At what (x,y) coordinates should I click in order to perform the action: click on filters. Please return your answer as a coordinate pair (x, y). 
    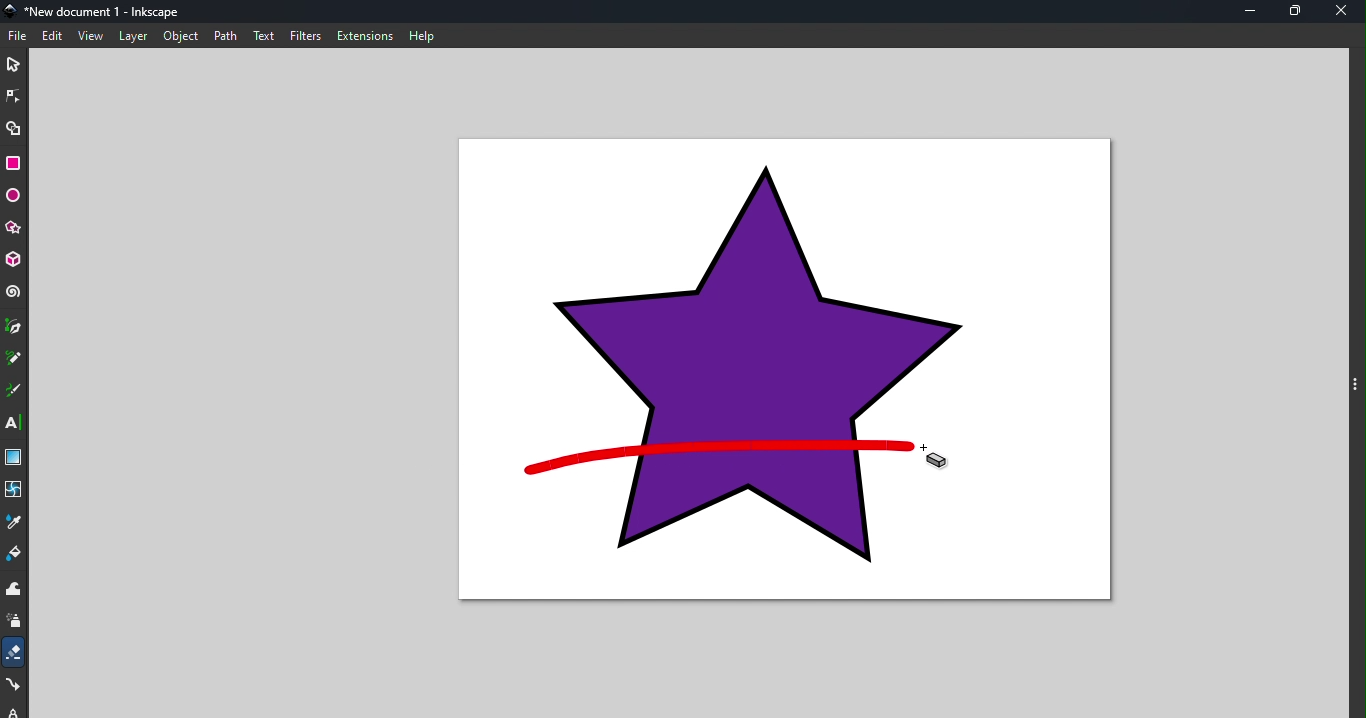
    Looking at the image, I should click on (307, 36).